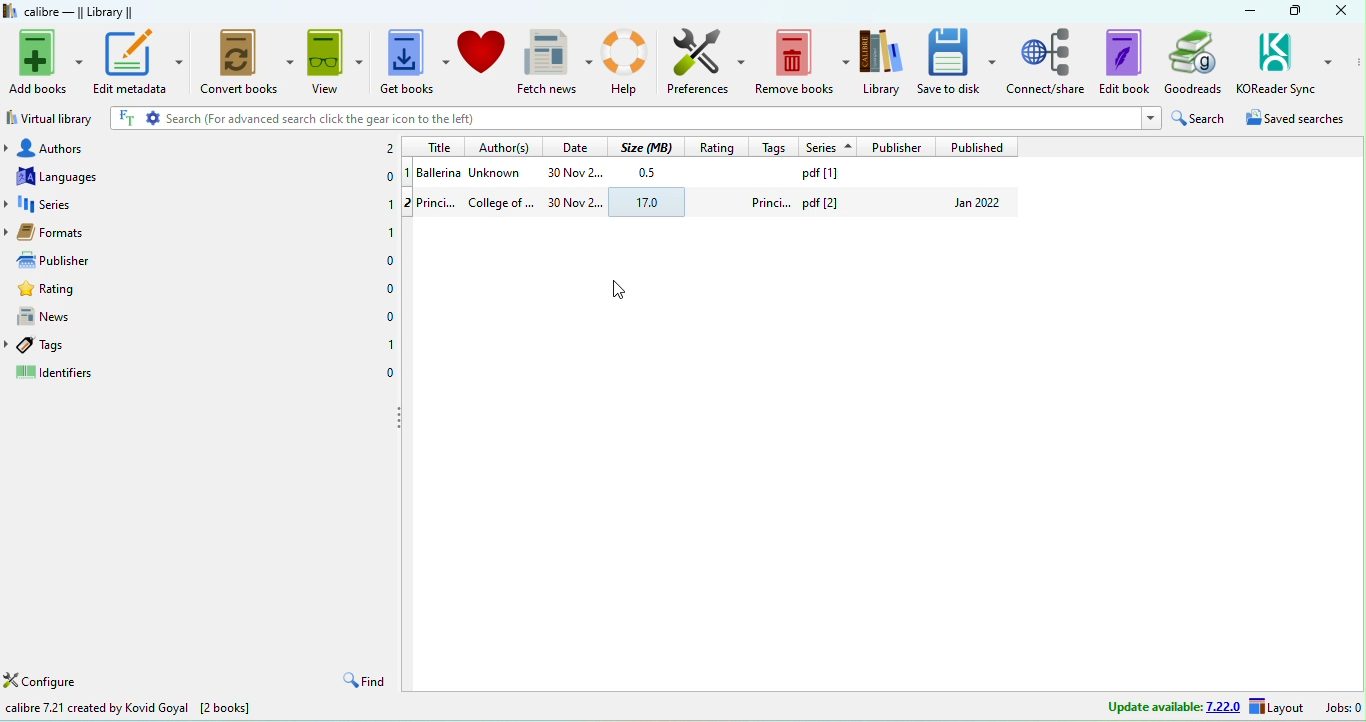 The width and height of the screenshot is (1366, 722). I want to click on size, so click(648, 147).